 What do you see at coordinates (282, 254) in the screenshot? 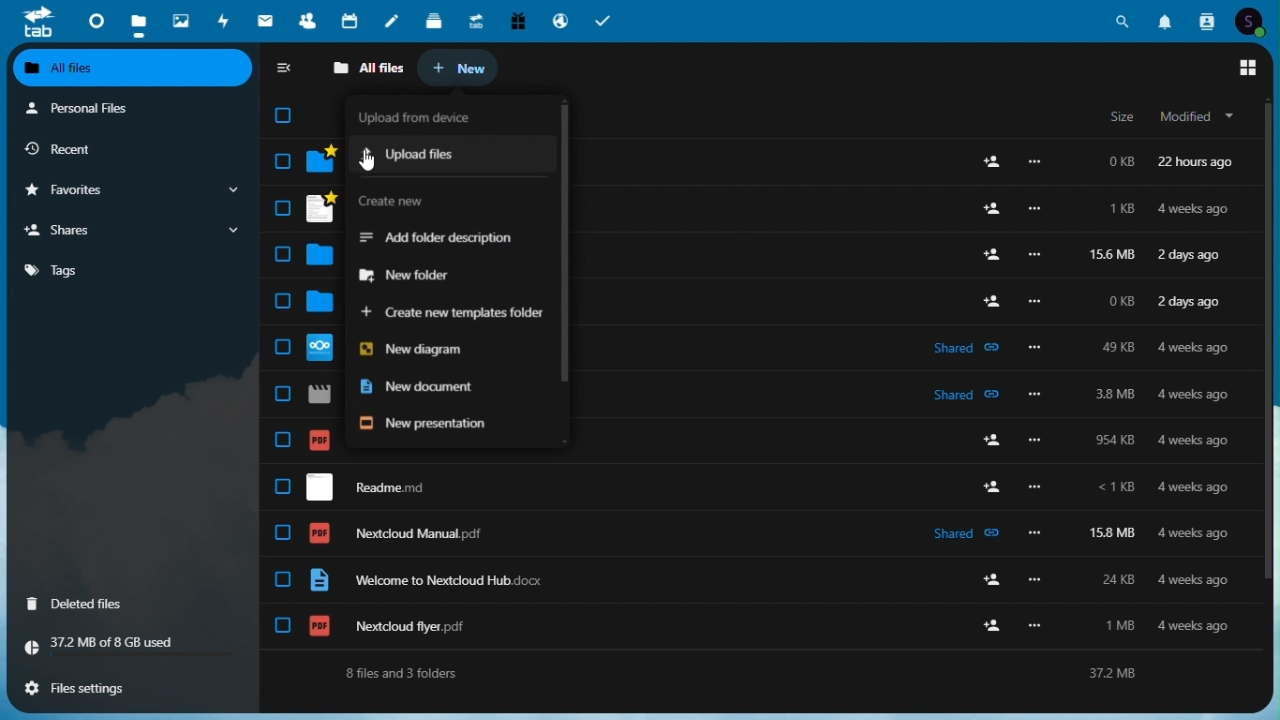
I see `check box` at bounding box center [282, 254].